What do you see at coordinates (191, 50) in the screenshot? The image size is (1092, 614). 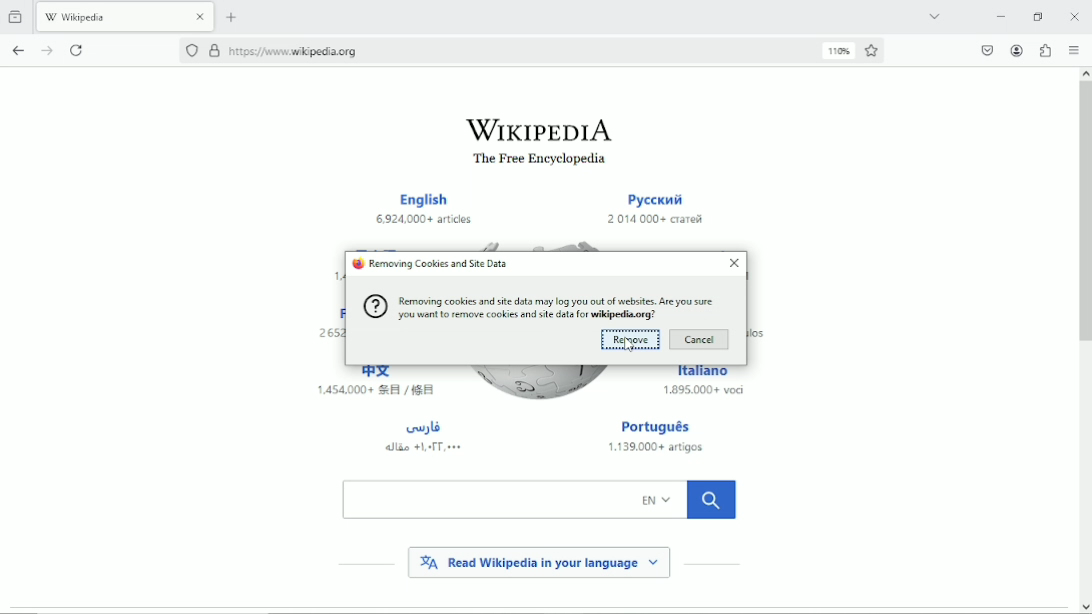 I see `no trackers known to firefox were detected on this page` at bounding box center [191, 50].